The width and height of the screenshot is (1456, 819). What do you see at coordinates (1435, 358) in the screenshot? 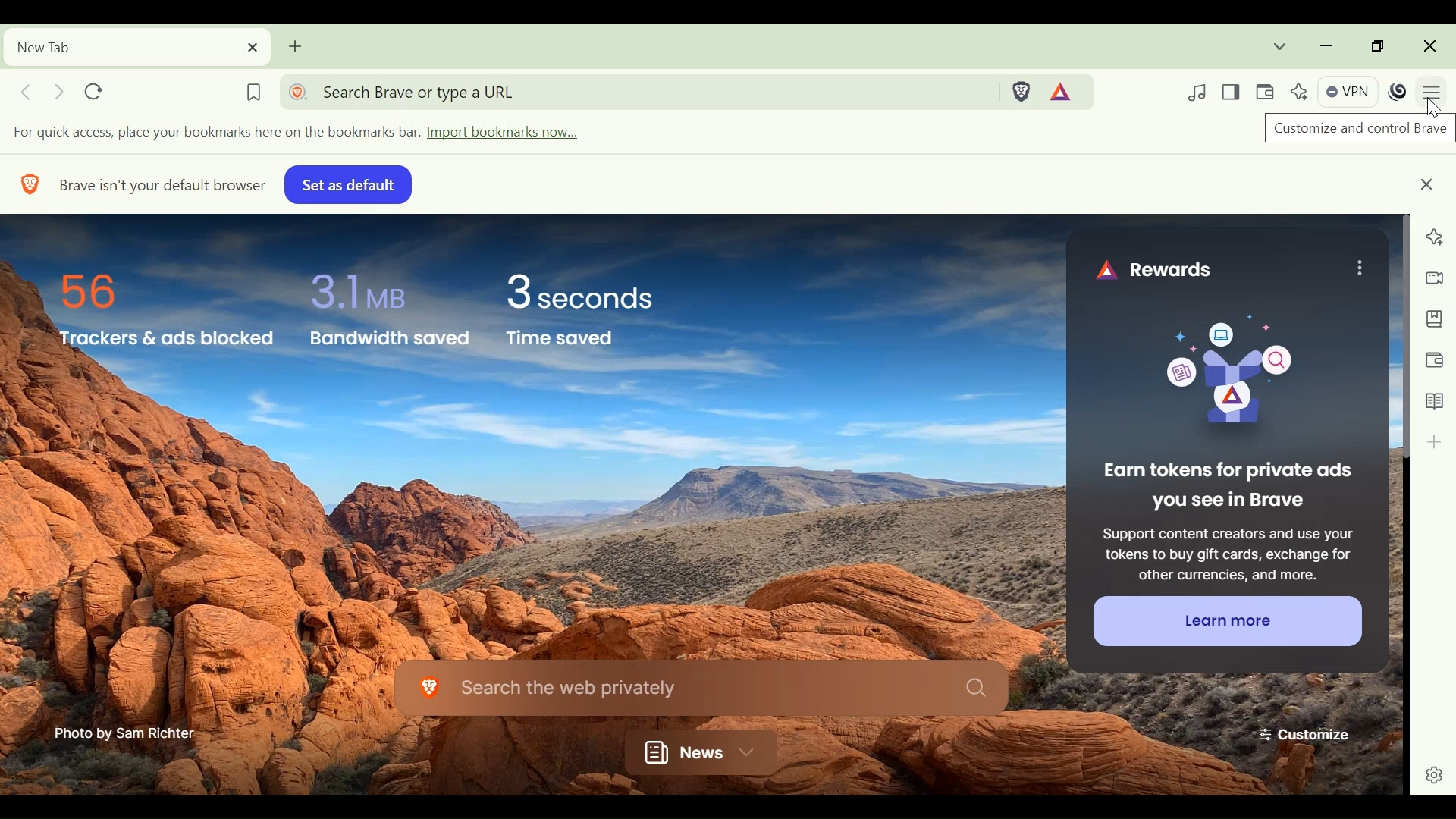
I see `Wallet` at bounding box center [1435, 358].